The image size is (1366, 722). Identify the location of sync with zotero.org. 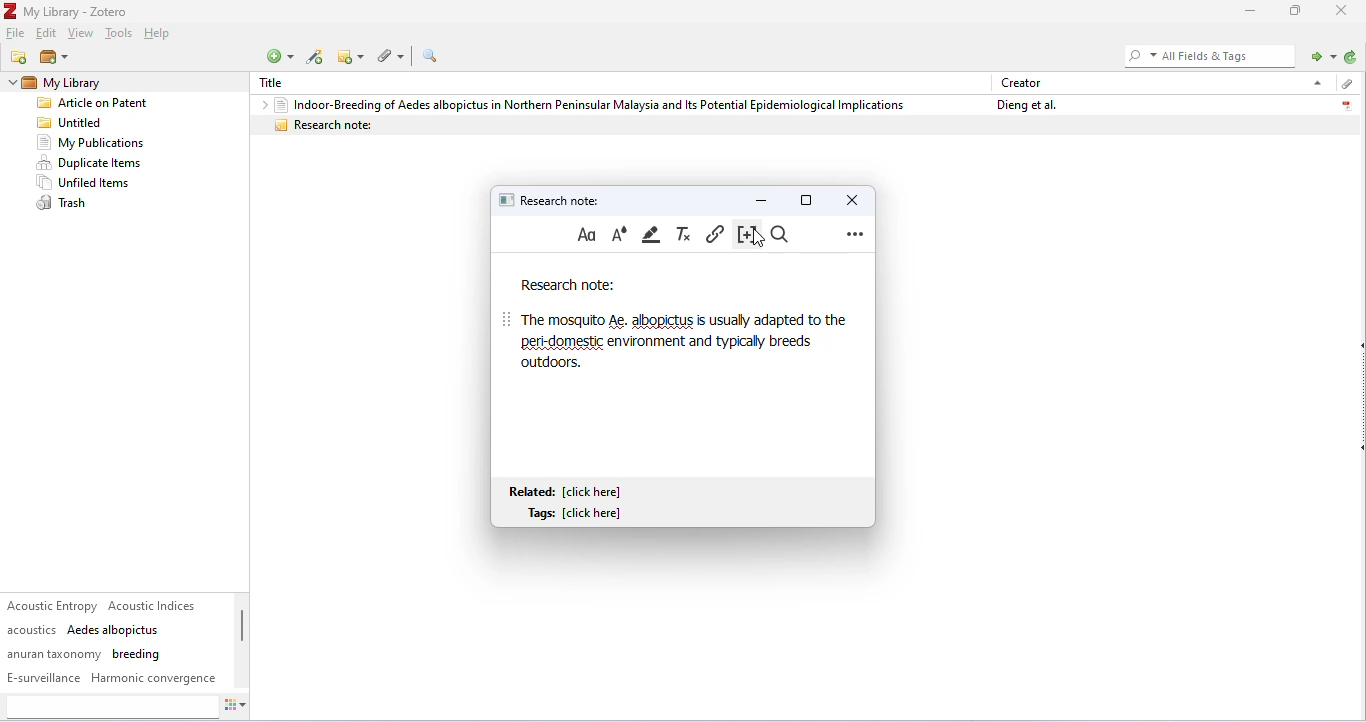
(1351, 57).